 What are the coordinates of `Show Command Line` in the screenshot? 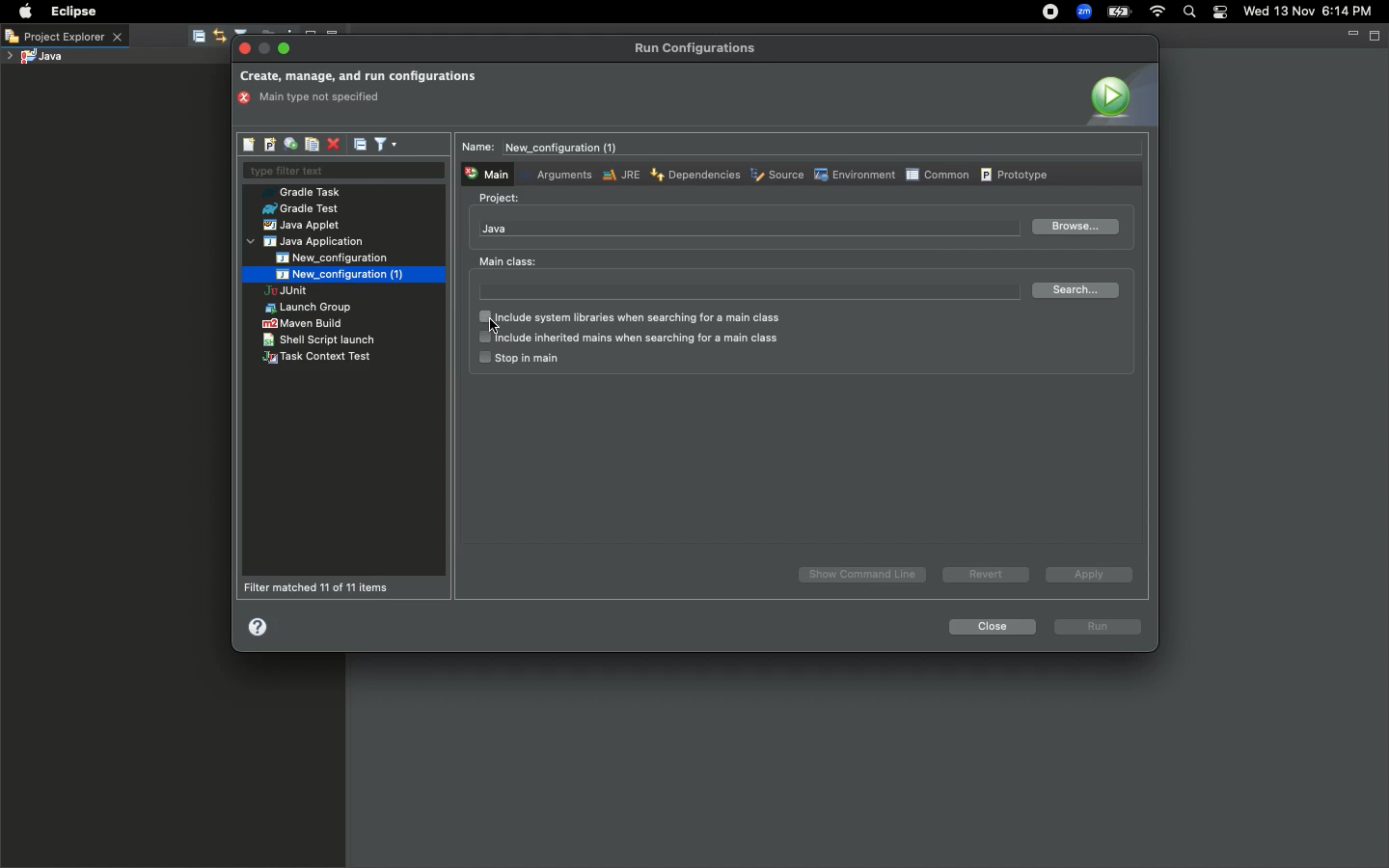 It's located at (864, 575).